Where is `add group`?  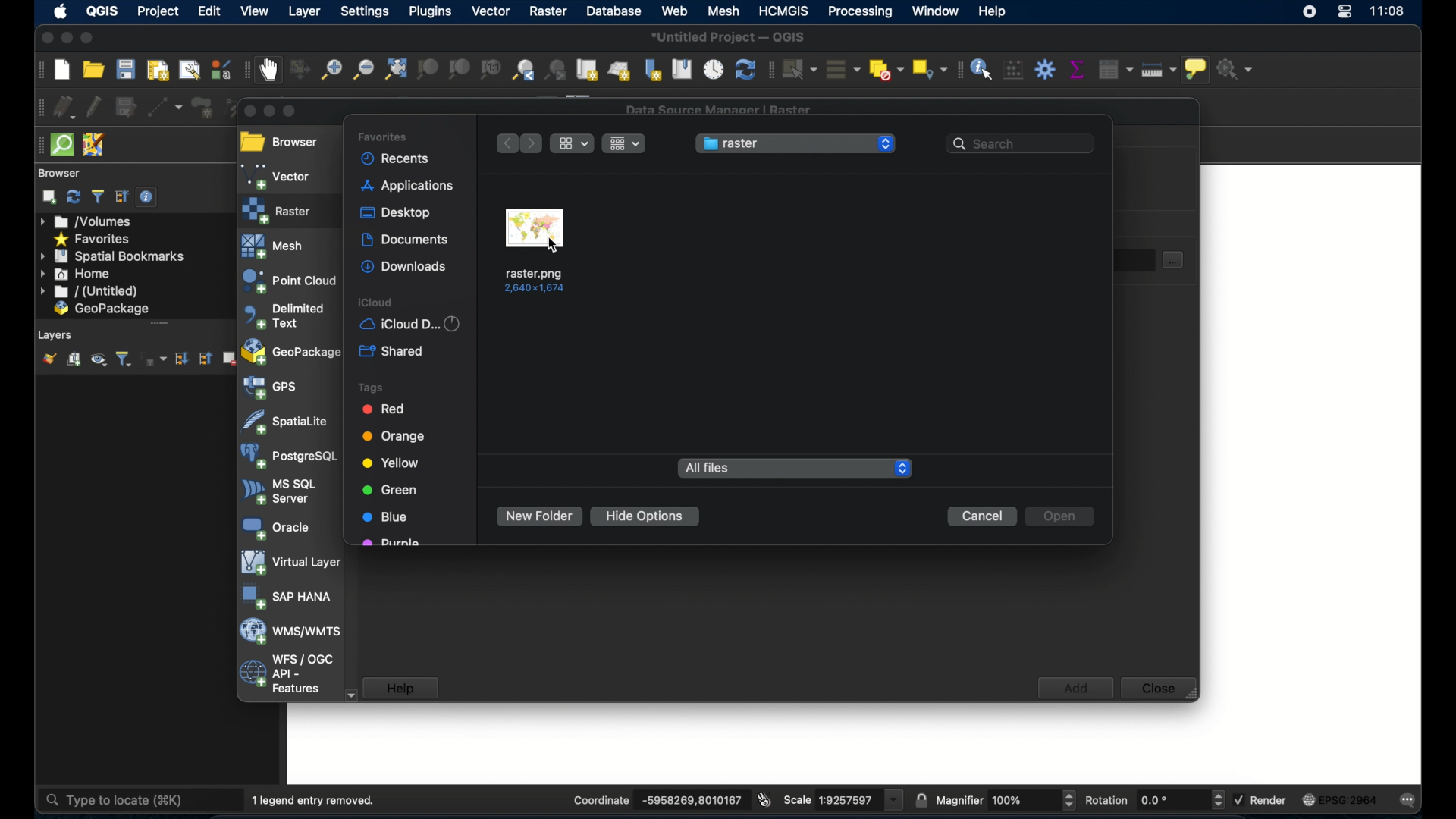
add group is located at coordinates (74, 359).